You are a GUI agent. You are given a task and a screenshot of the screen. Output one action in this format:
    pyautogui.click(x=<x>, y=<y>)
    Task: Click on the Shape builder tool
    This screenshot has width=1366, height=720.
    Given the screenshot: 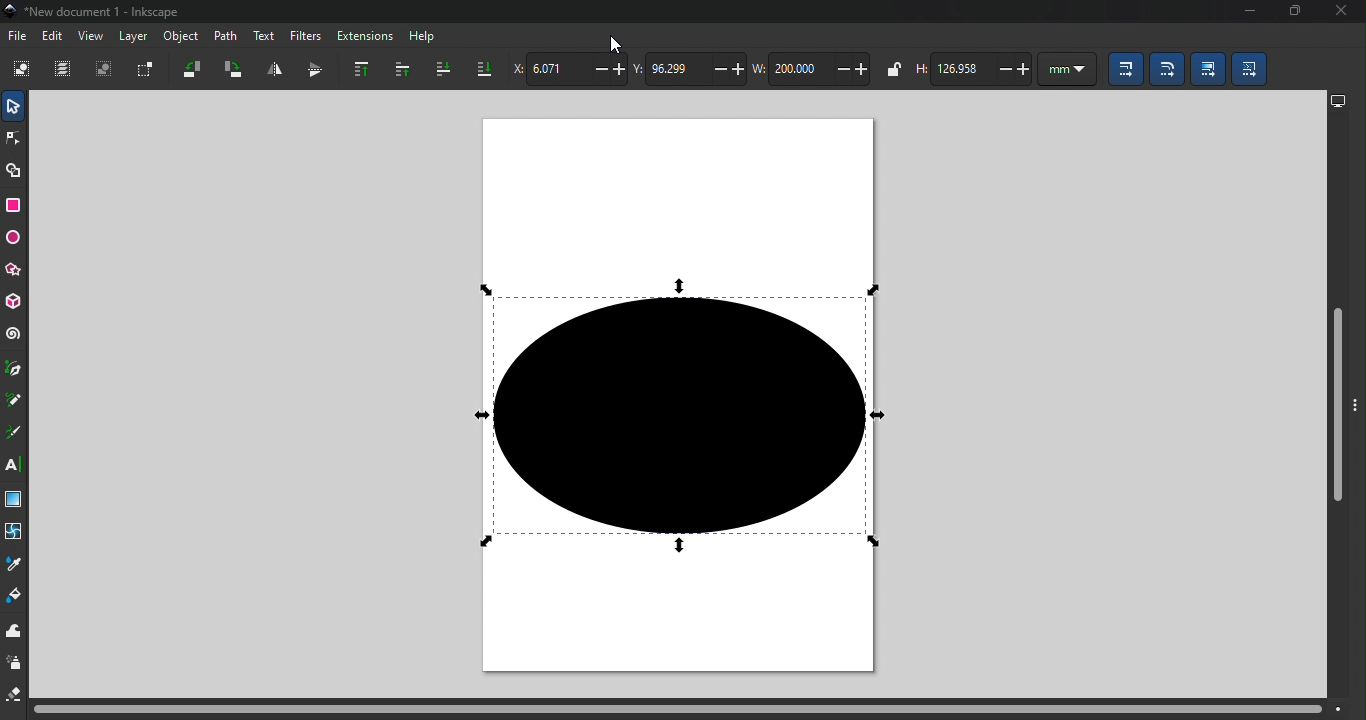 What is the action you would take?
    pyautogui.click(x=14, y=171)
    